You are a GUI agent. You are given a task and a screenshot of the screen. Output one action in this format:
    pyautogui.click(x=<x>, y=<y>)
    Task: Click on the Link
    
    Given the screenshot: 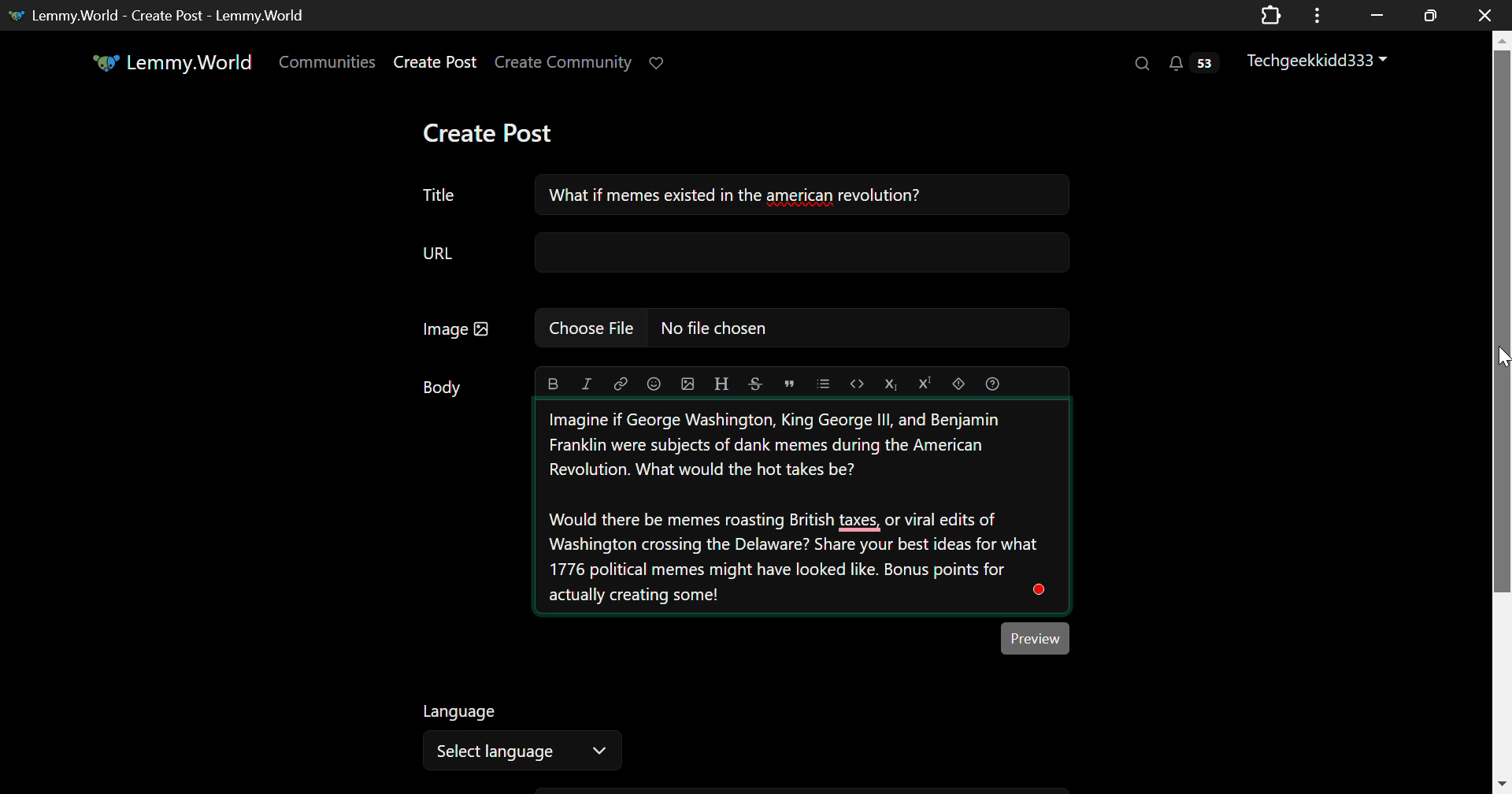 What is the action you would take?
    pyautogui.click(x=621, y=382)
    